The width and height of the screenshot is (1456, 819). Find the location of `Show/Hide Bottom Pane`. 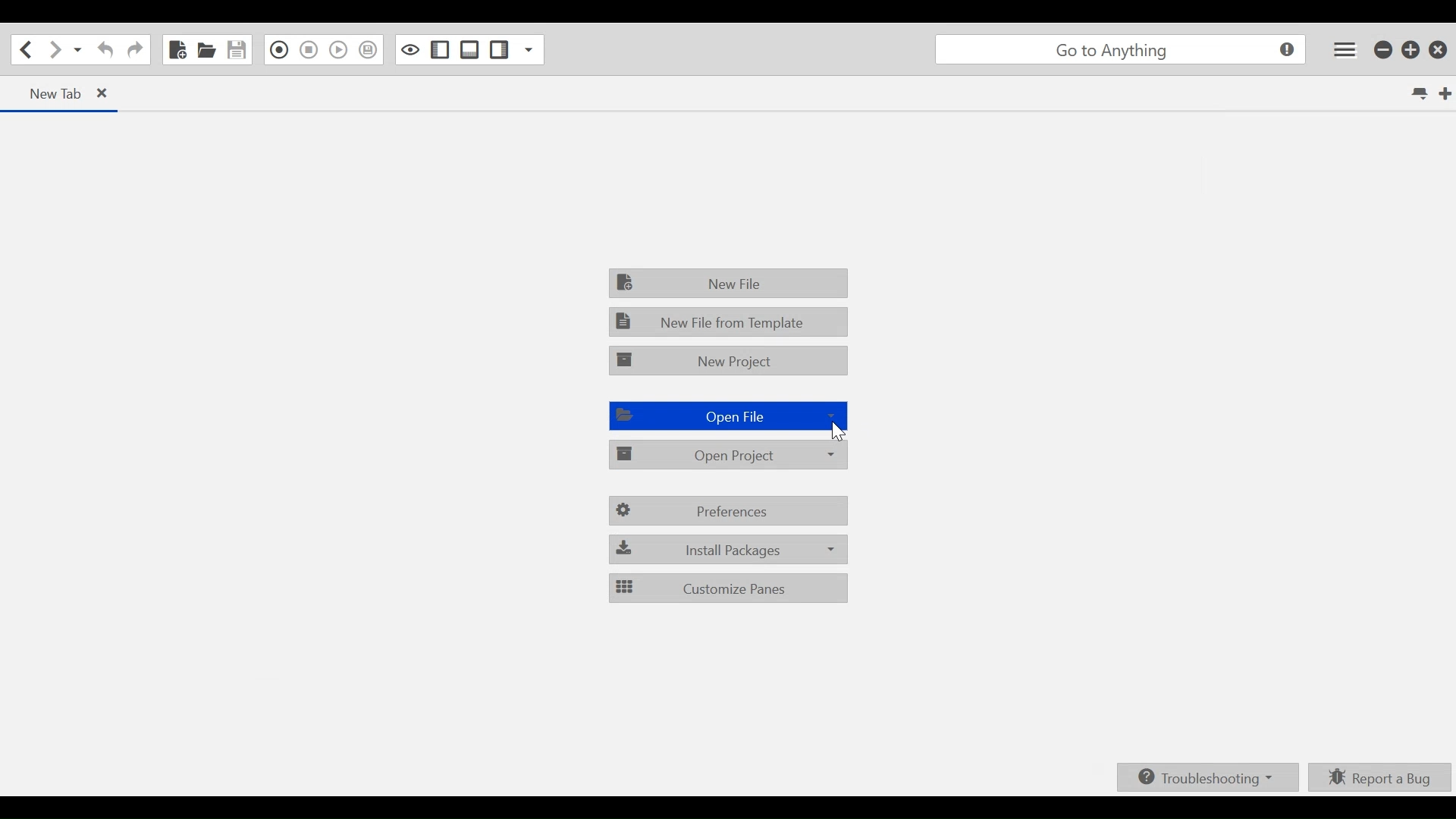

Show/Hide Bottom Pane is located at coordinates (469, 49).